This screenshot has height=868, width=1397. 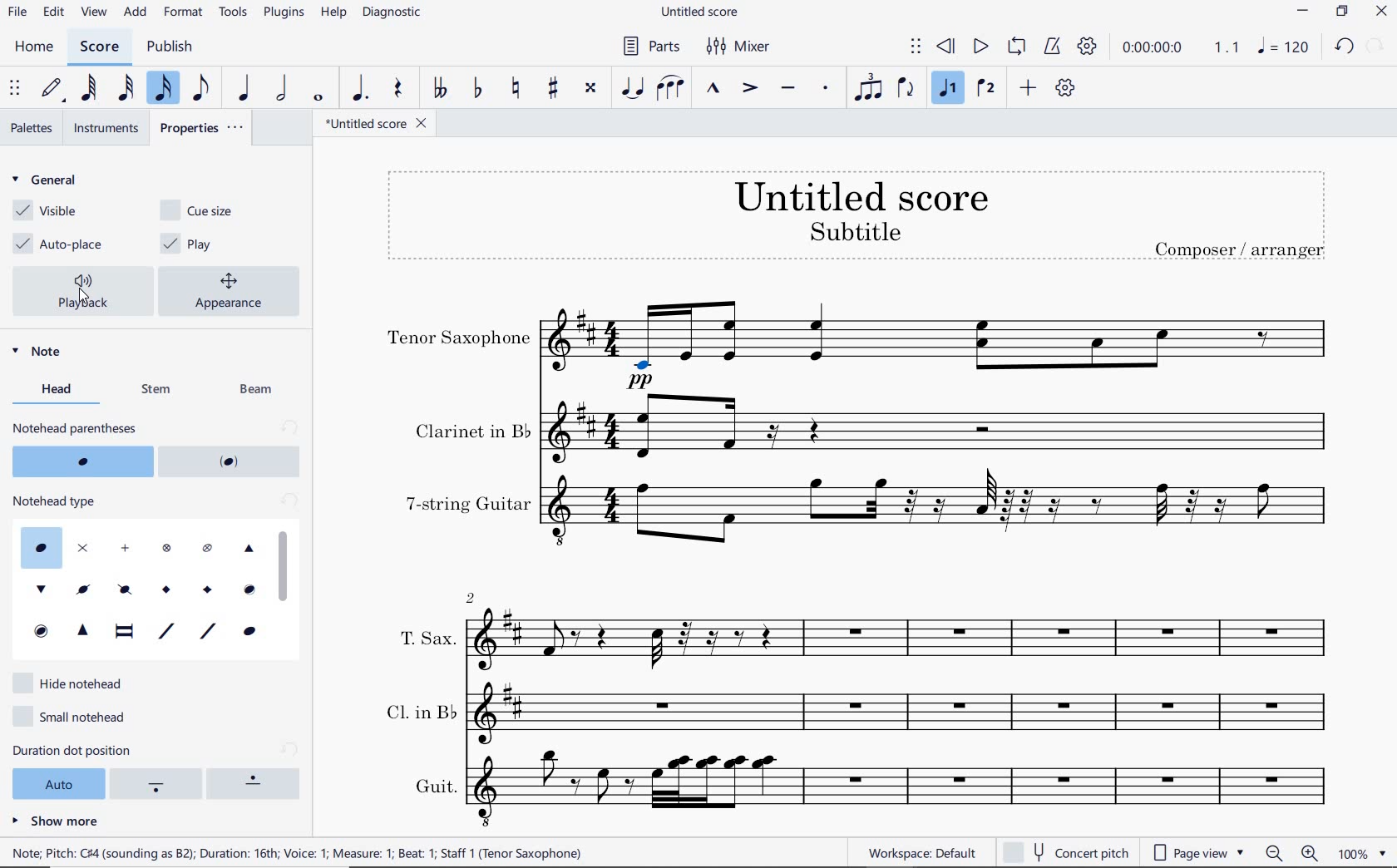 I want to click on text, so click(x=854, y=230).